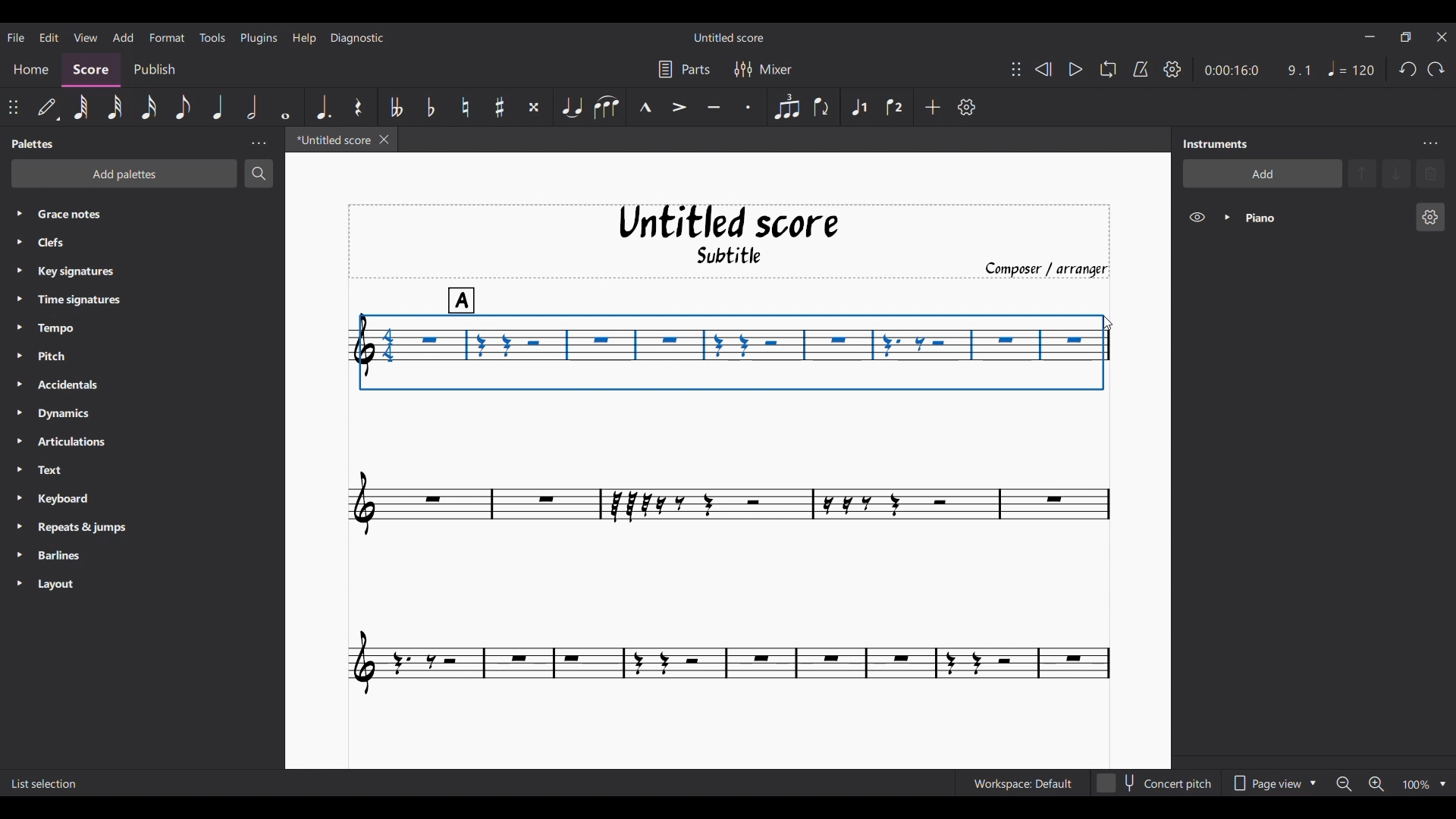 The image size is (1456, 819). Describe the element at coordinates (1431, 174) in the screenshot. I see `Delete` at that location.